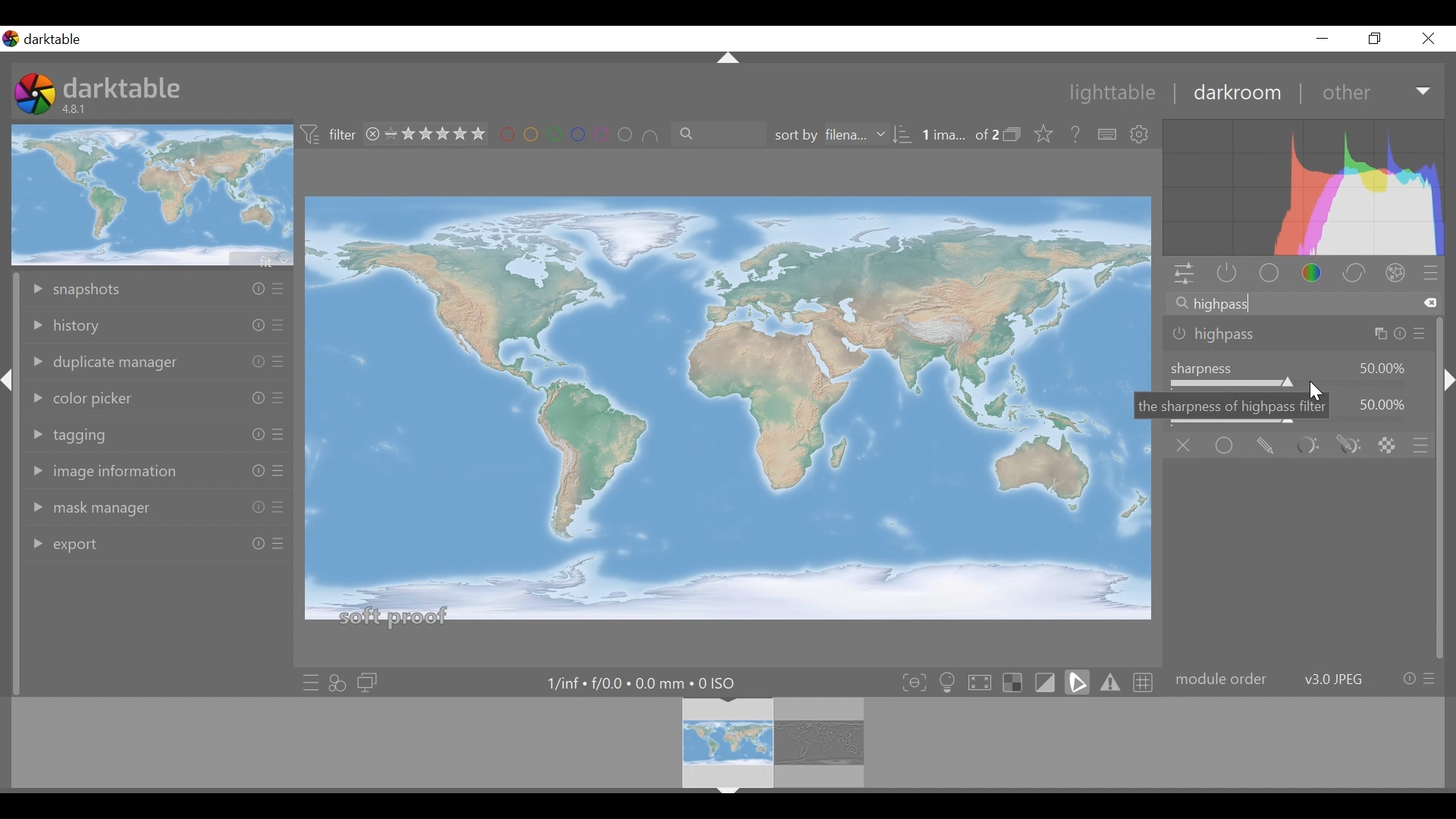  What do you see at coordinates (1307, 444) in the screenshot?
I see `parametric mask` at bounding box center [1307, 444].